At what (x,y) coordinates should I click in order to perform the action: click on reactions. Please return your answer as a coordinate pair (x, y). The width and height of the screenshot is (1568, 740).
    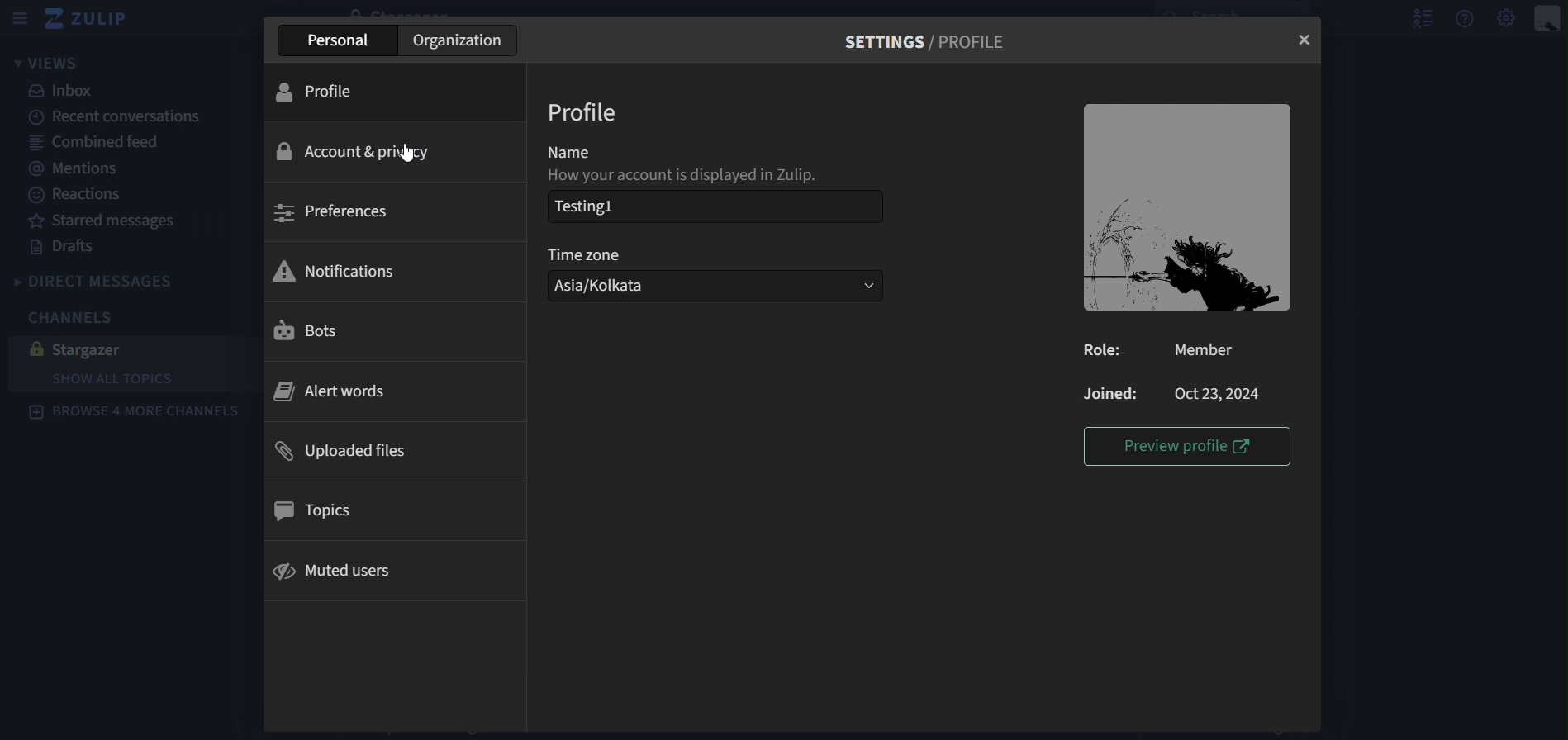
    Looking at the image, I should click on (76, 196).